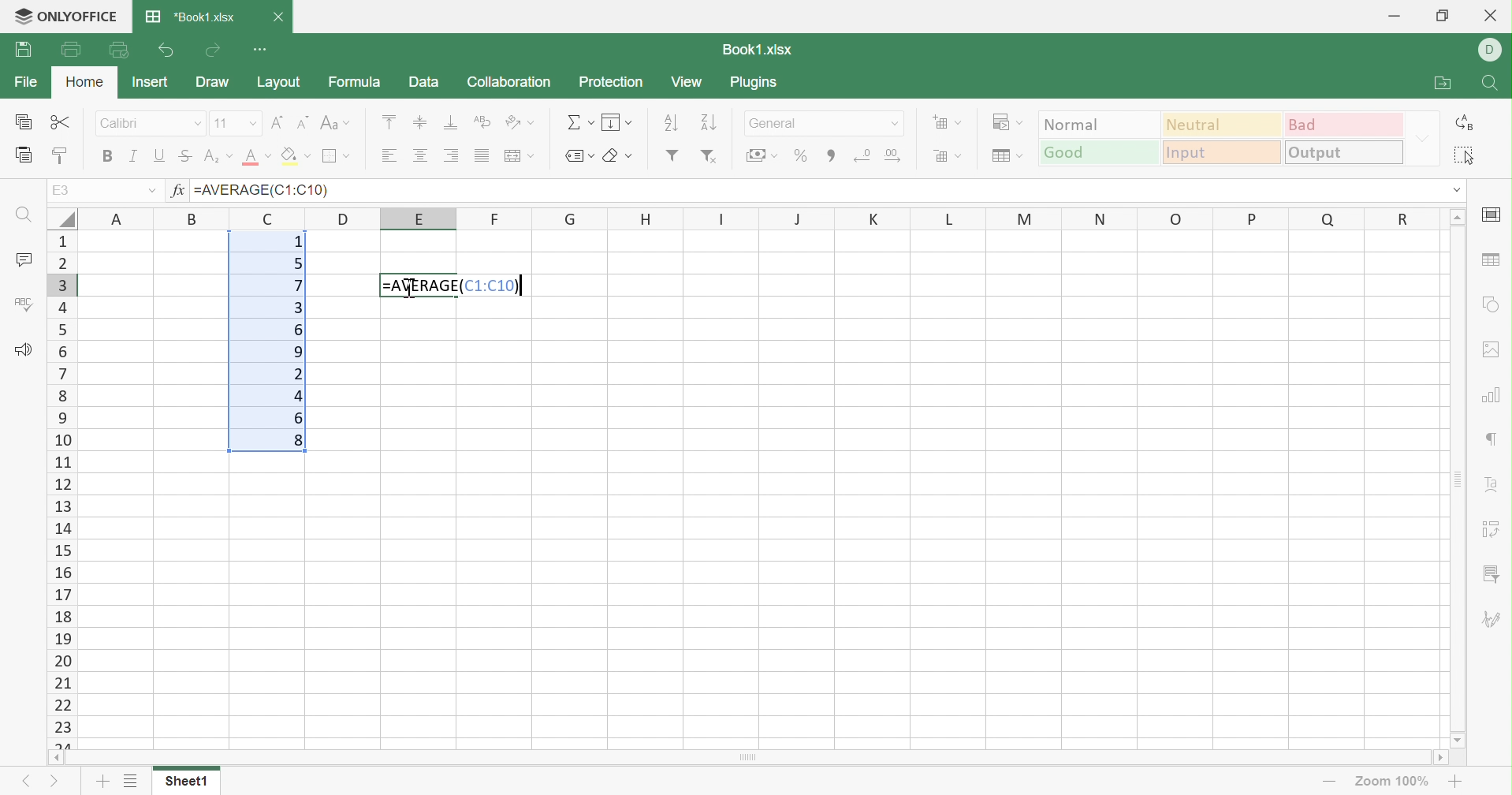 This screenshot has width=1512, height=795. Describe the element at coordinates (282, 17) in the screenshot. I see `Close` at that location.